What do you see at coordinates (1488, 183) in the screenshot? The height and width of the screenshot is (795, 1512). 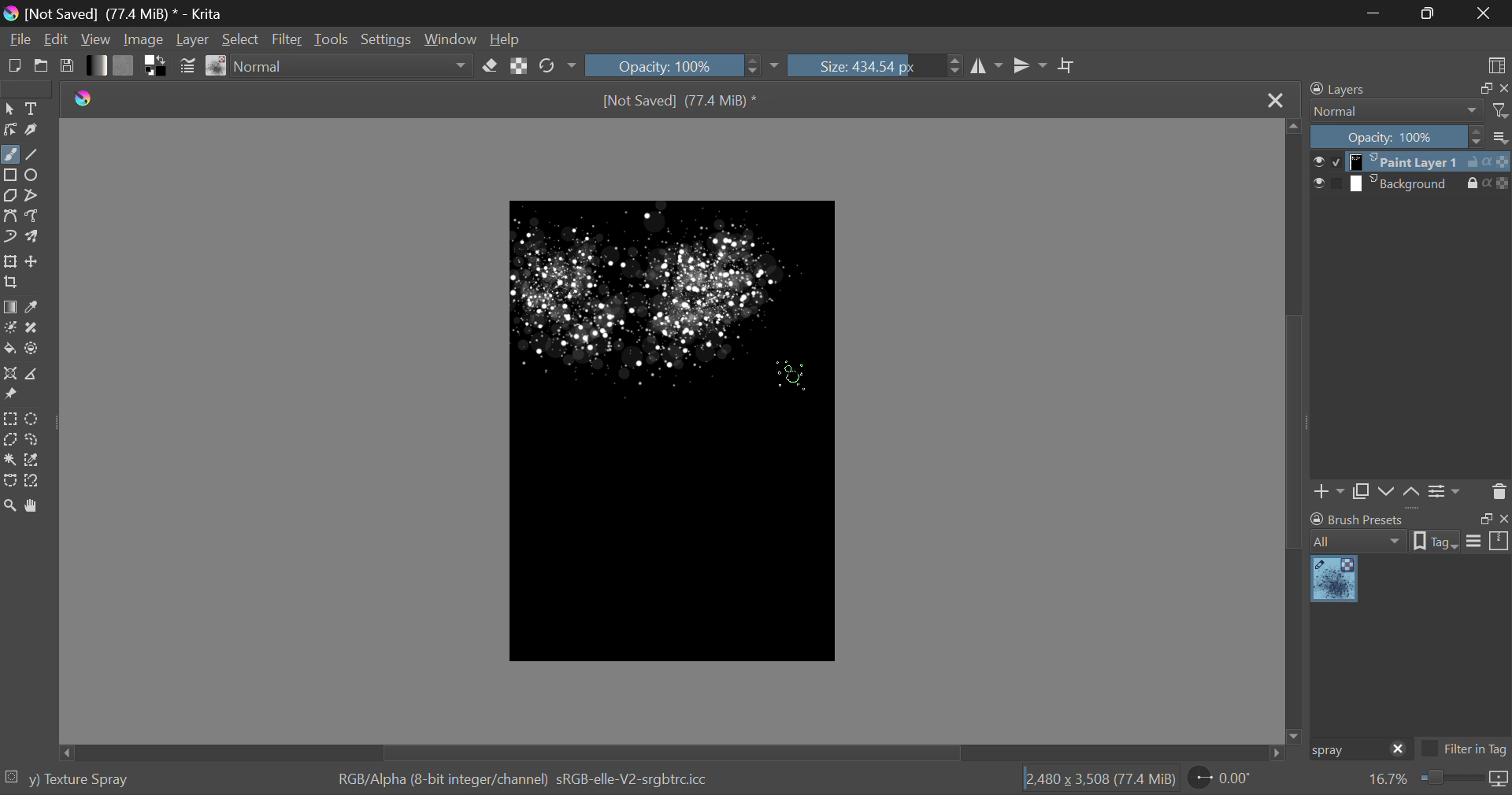 I see `actions` at bounding box center [1488, 183].